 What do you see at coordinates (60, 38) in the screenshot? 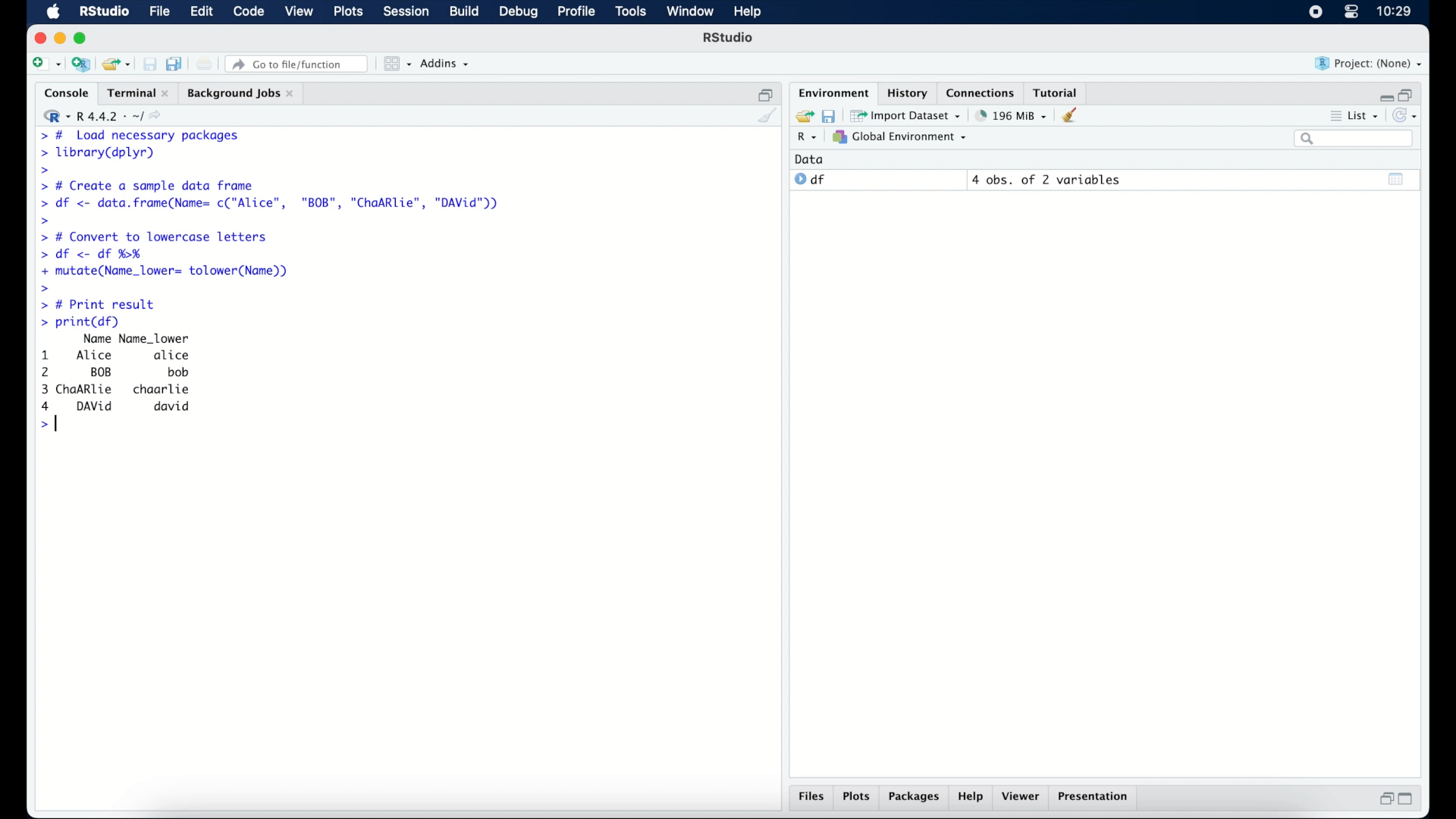
I see `minimize` at bounding box center [60, 38].